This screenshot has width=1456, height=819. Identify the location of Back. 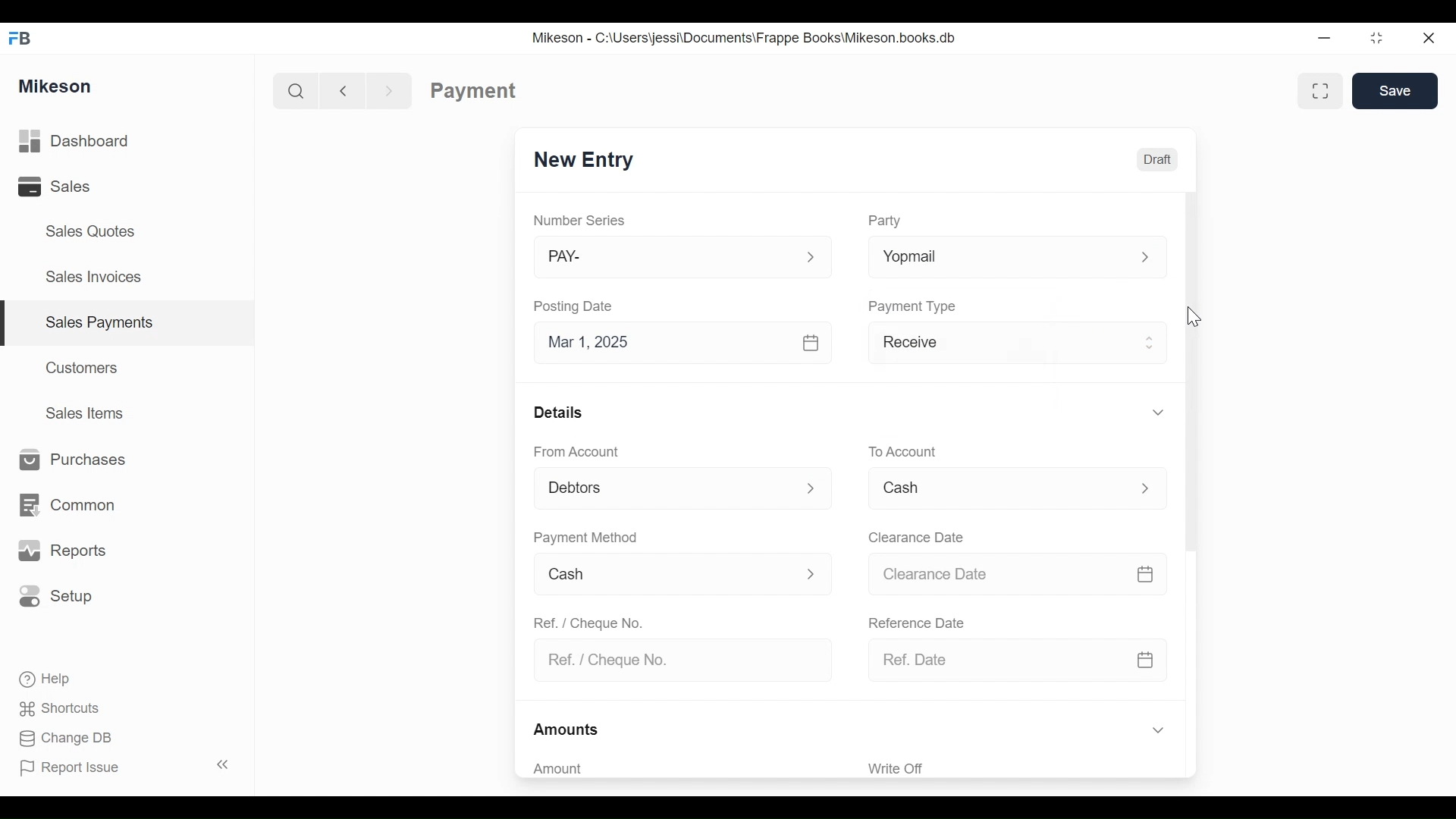
(350, 89).